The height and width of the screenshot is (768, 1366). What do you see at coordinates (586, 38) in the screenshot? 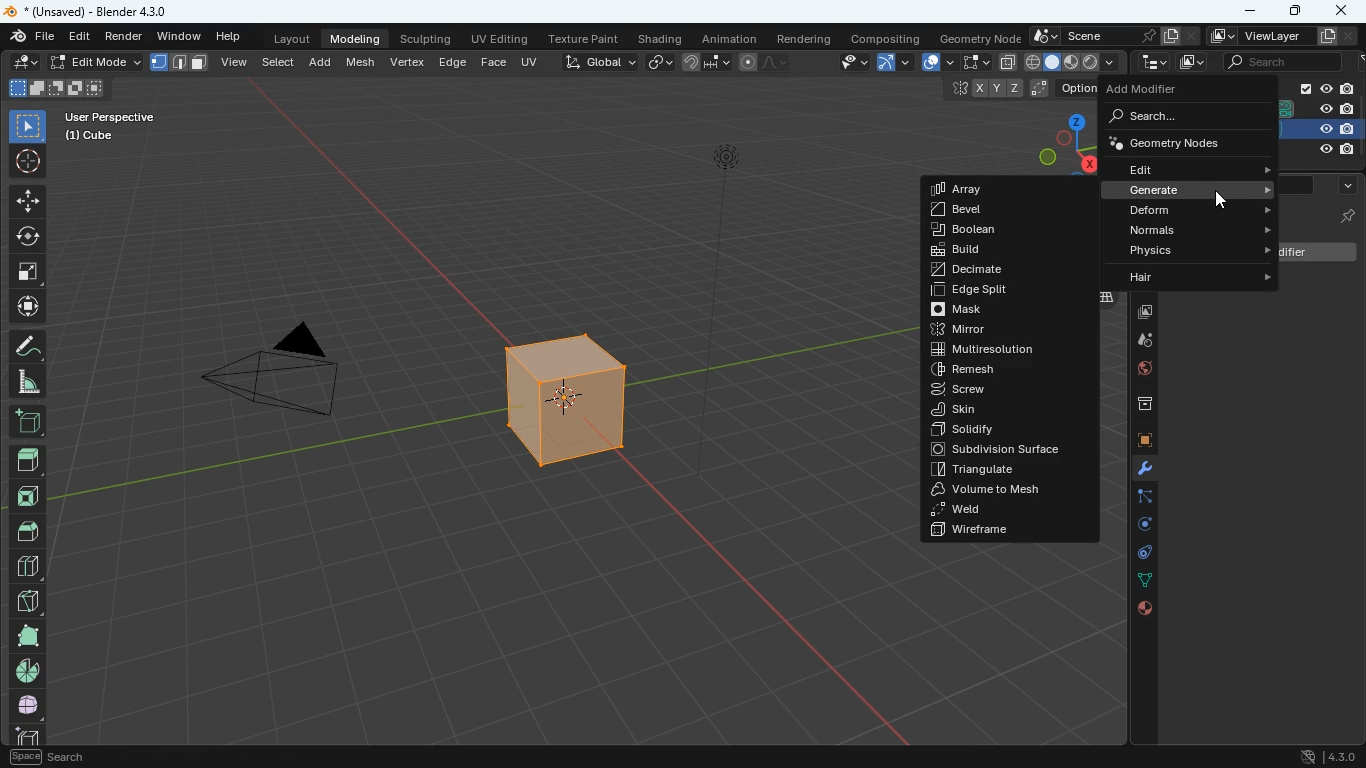
I see `texture paint` at bounding box center [586, 38].